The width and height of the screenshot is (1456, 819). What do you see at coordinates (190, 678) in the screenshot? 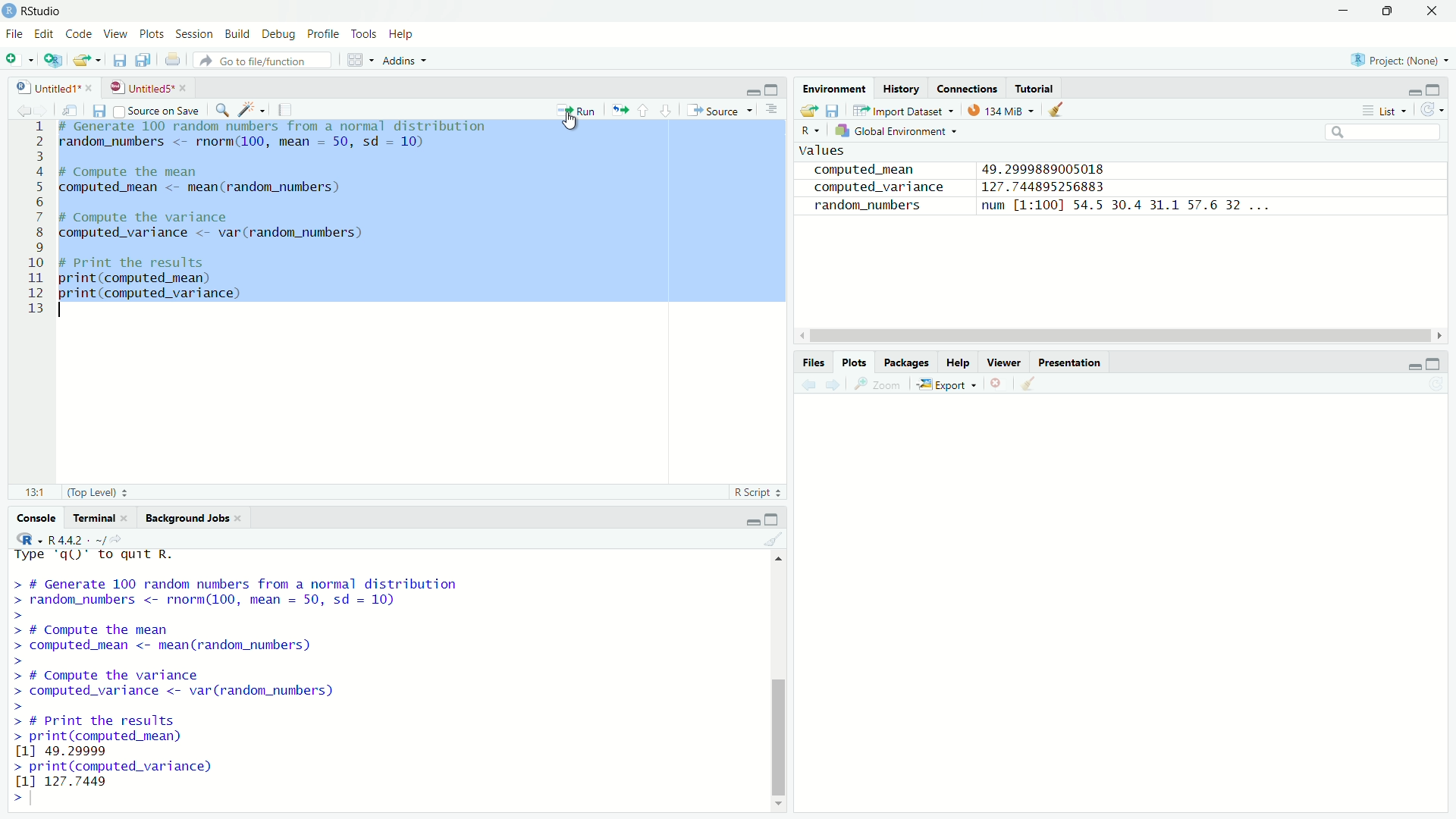
I see `Compute the variance“ computed_variance <- var (random_numbers)` at bounding box center [190, 678].